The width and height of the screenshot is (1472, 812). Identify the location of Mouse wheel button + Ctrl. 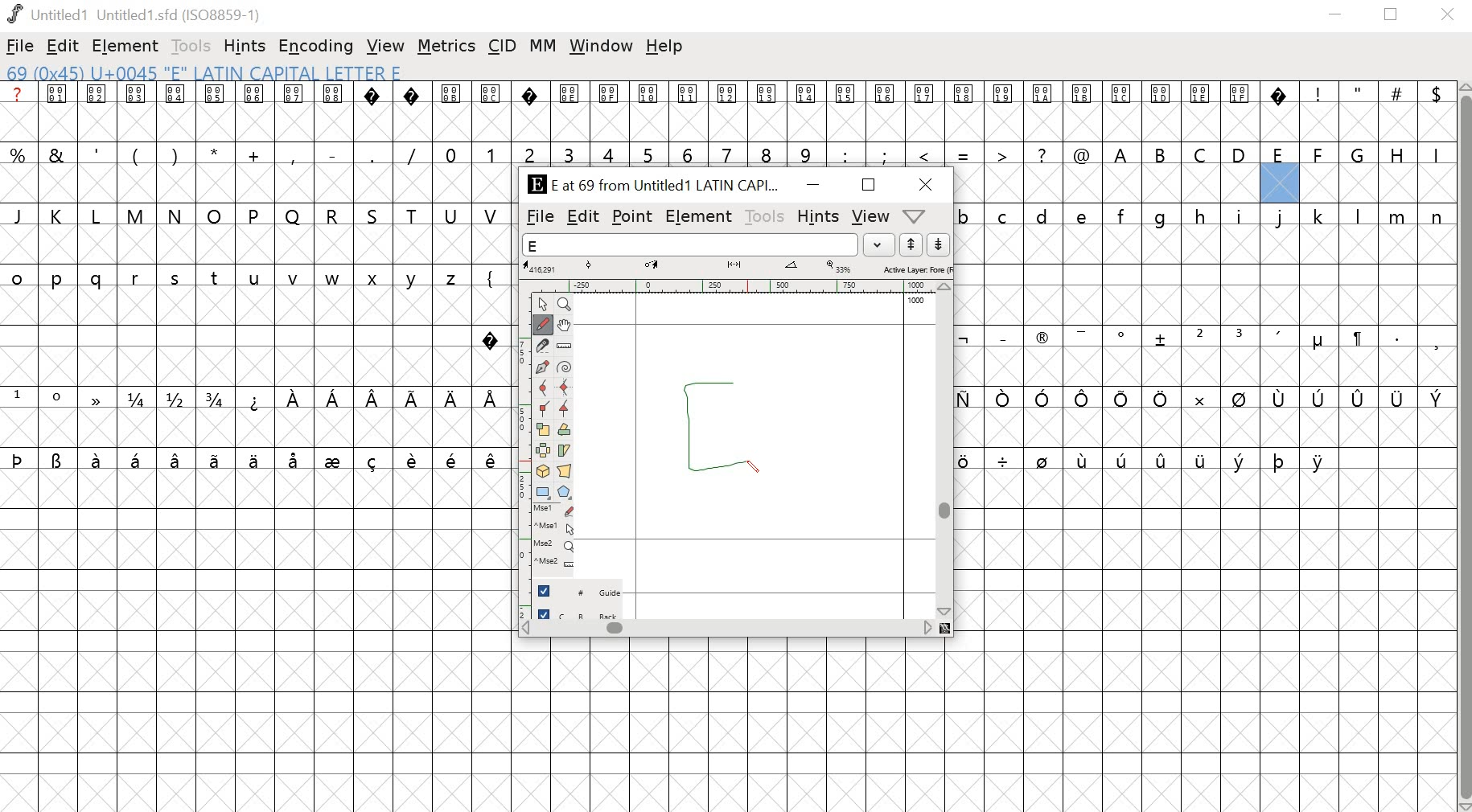
(553, 563).